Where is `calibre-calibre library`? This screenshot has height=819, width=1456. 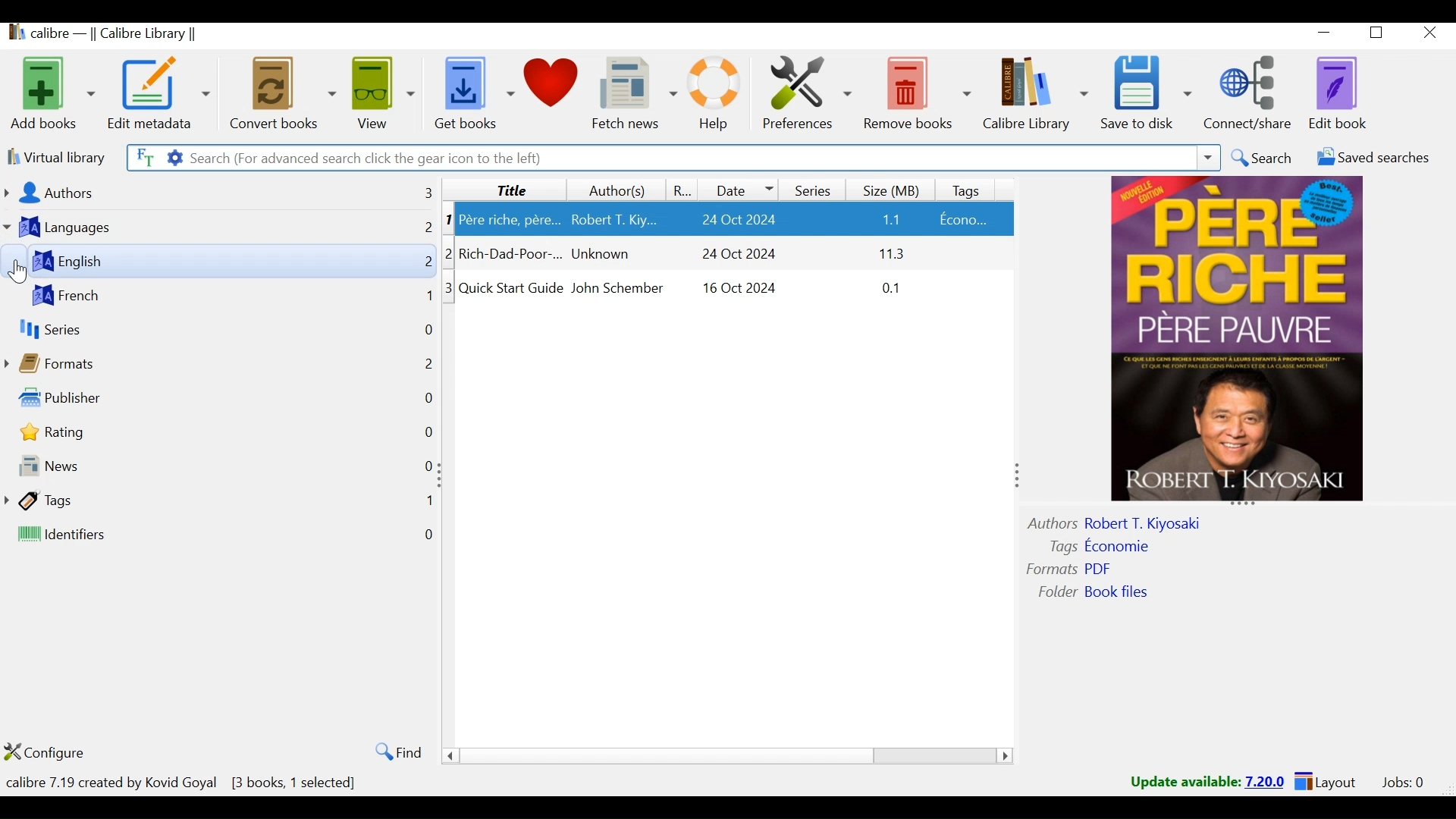
calibre-calibre library is located at coordinates (121, 35).